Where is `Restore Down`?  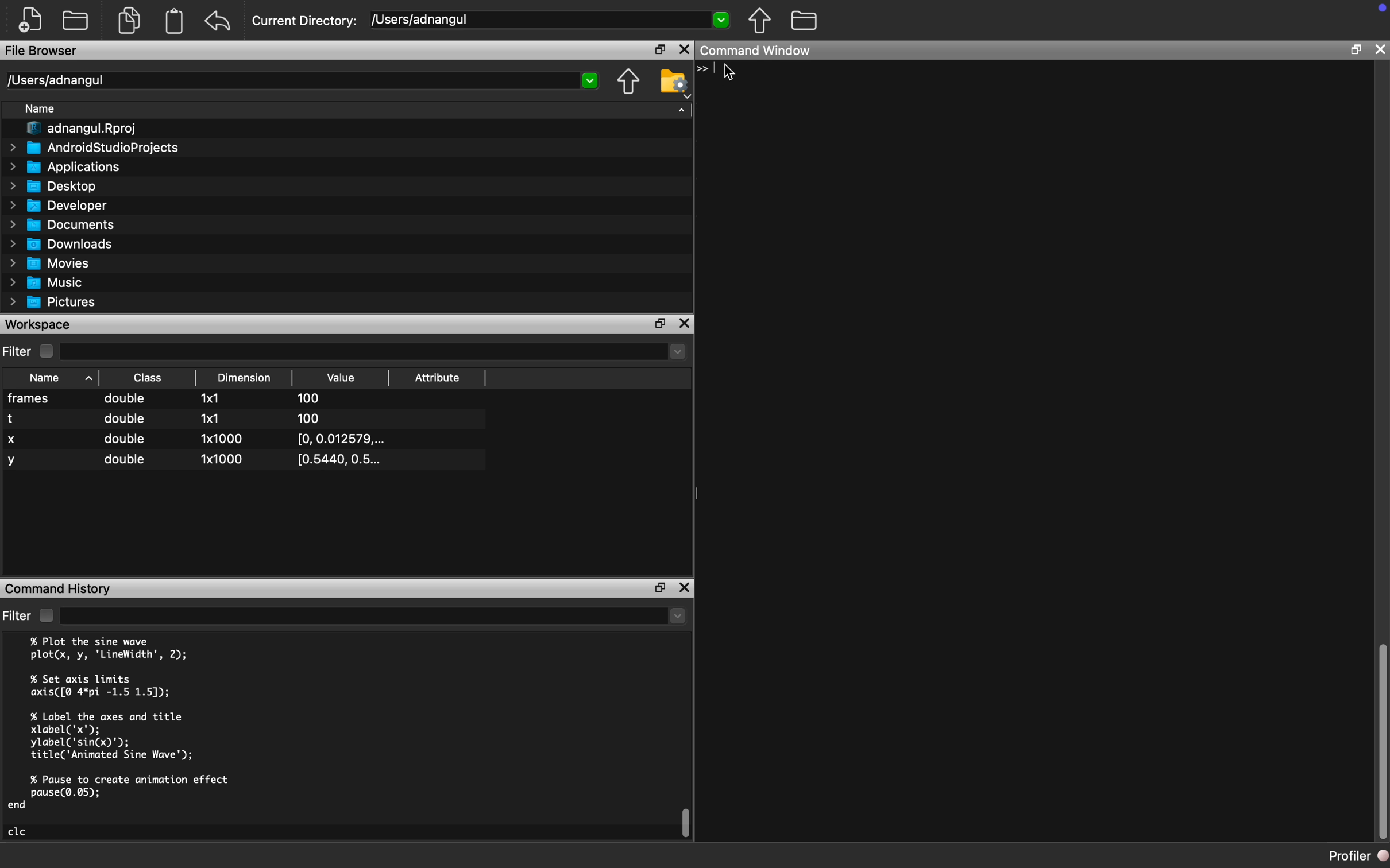 Restore Down is located at coordinates (658, 324).